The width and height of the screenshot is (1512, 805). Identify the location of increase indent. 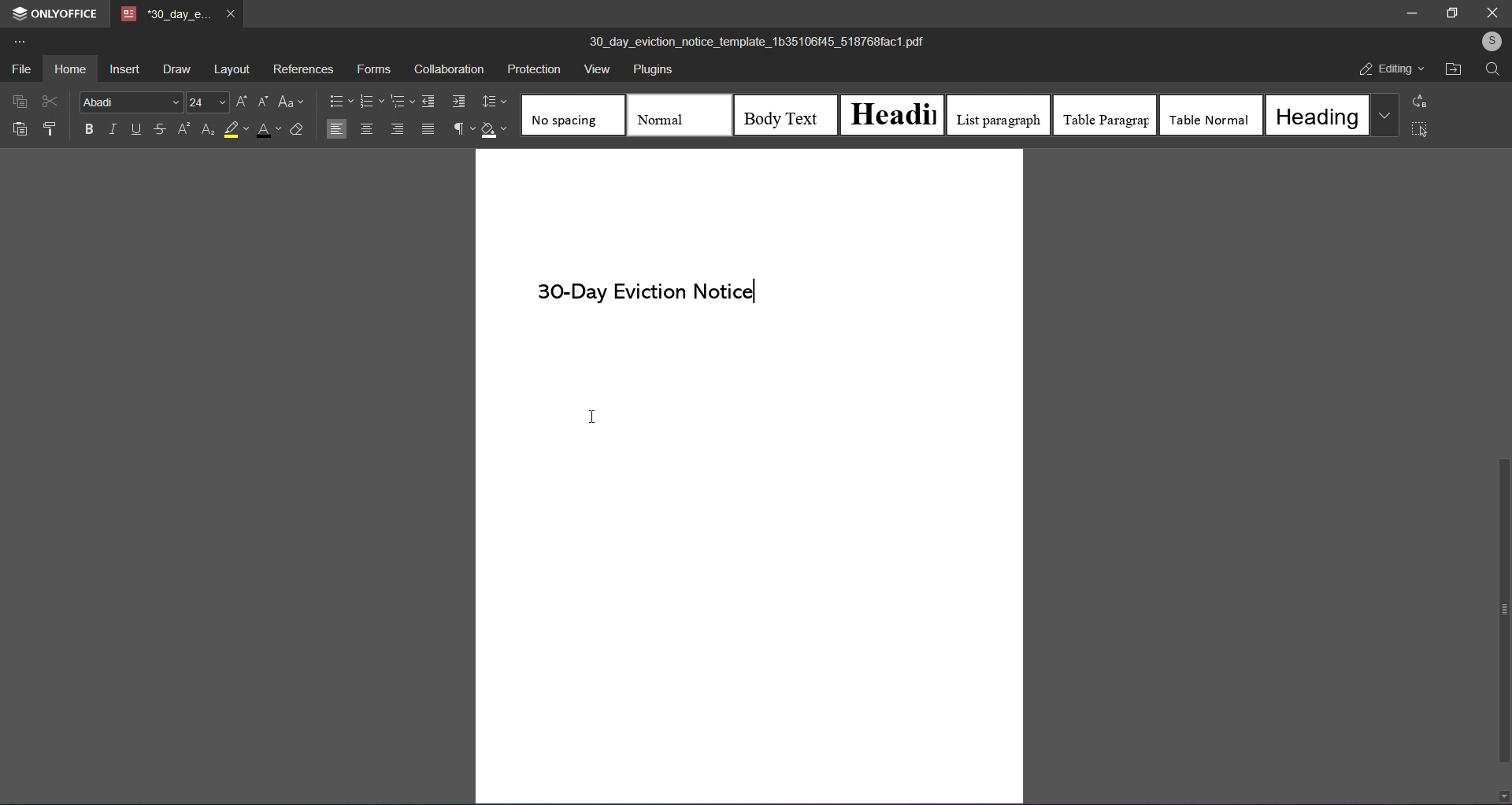
(458, 101).